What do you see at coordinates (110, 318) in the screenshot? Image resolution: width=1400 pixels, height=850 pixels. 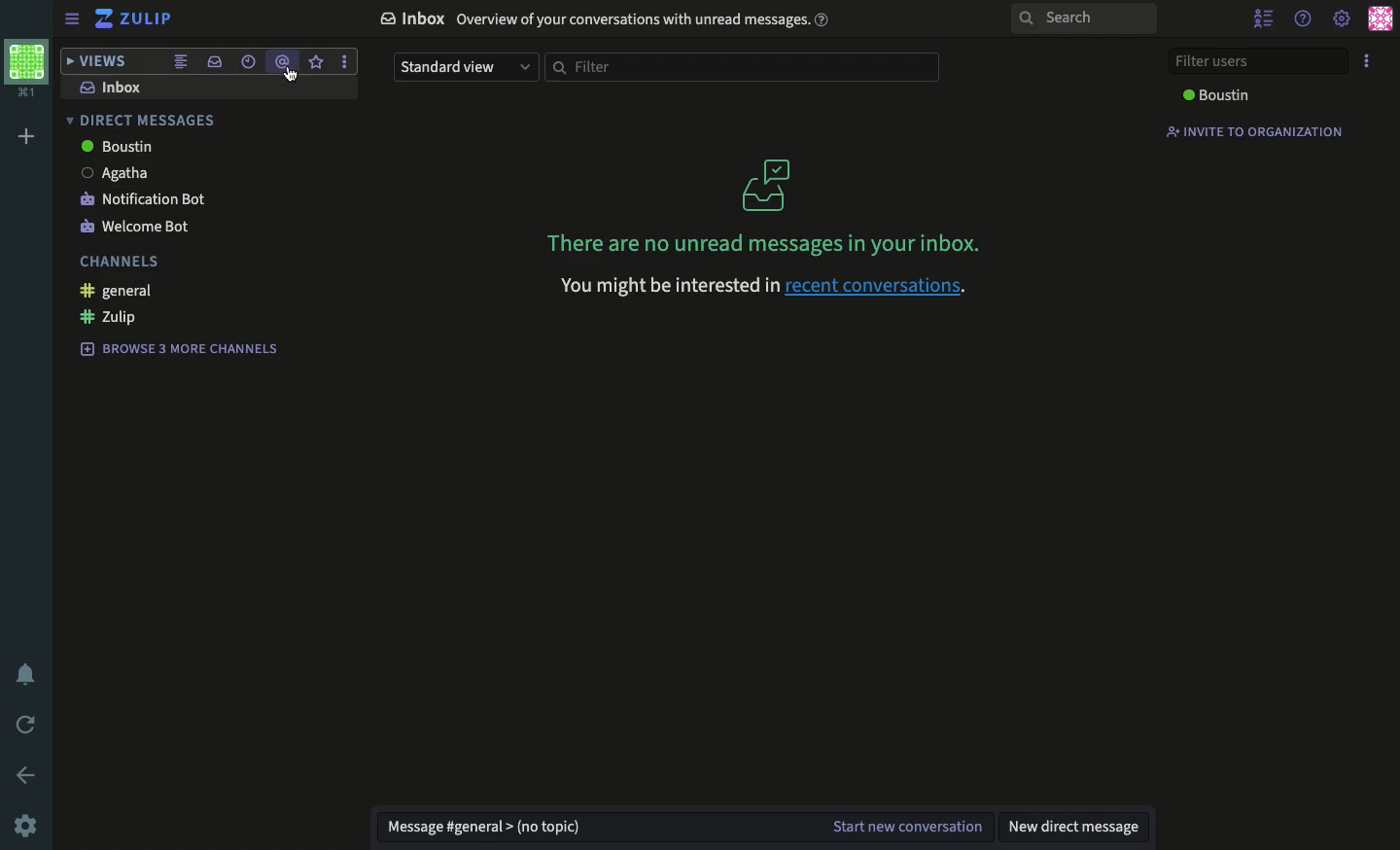 I see `zulip` at bounding box center [110, 318].